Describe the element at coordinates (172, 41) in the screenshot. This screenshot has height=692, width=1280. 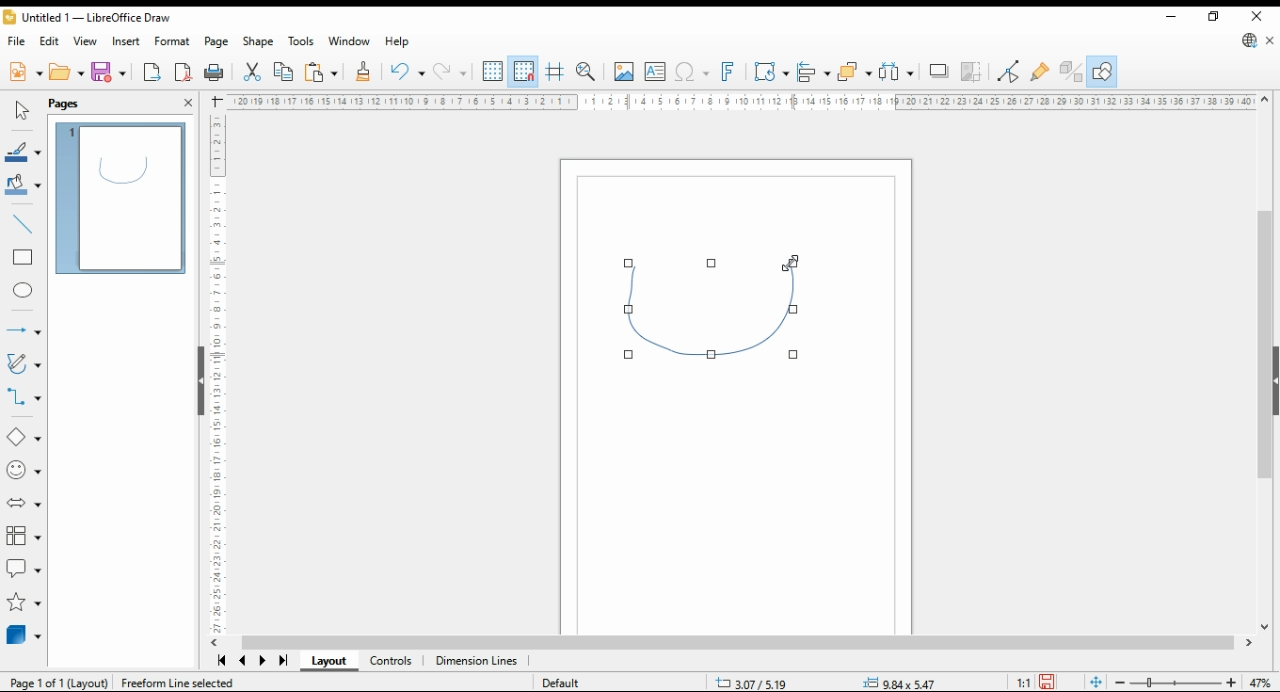
I see `format` at that location.